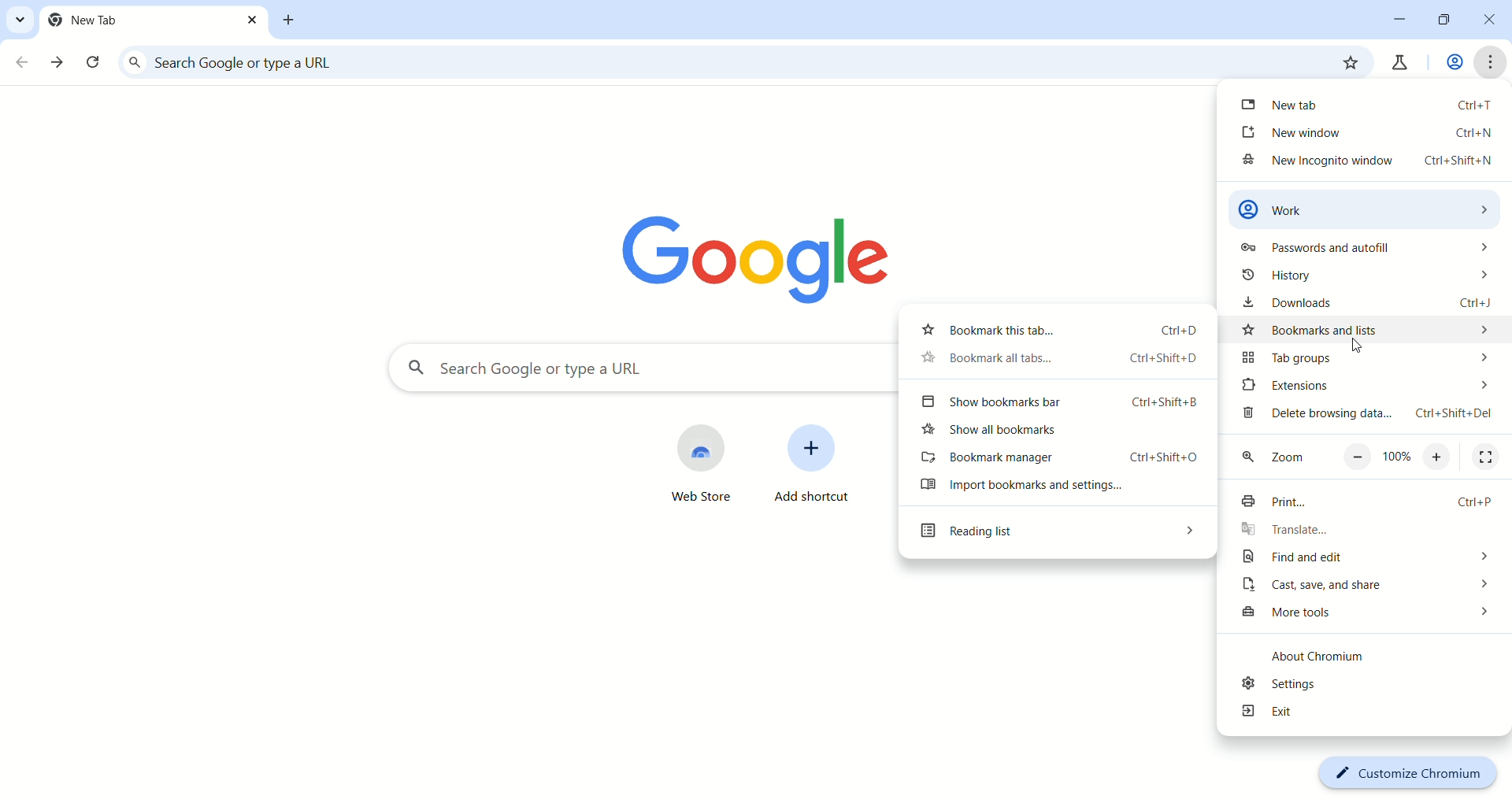 This screenshot has width=1512, height=803. Describe the element at coordinates (1368, 208) in the screenshot. I see `work` at that location.